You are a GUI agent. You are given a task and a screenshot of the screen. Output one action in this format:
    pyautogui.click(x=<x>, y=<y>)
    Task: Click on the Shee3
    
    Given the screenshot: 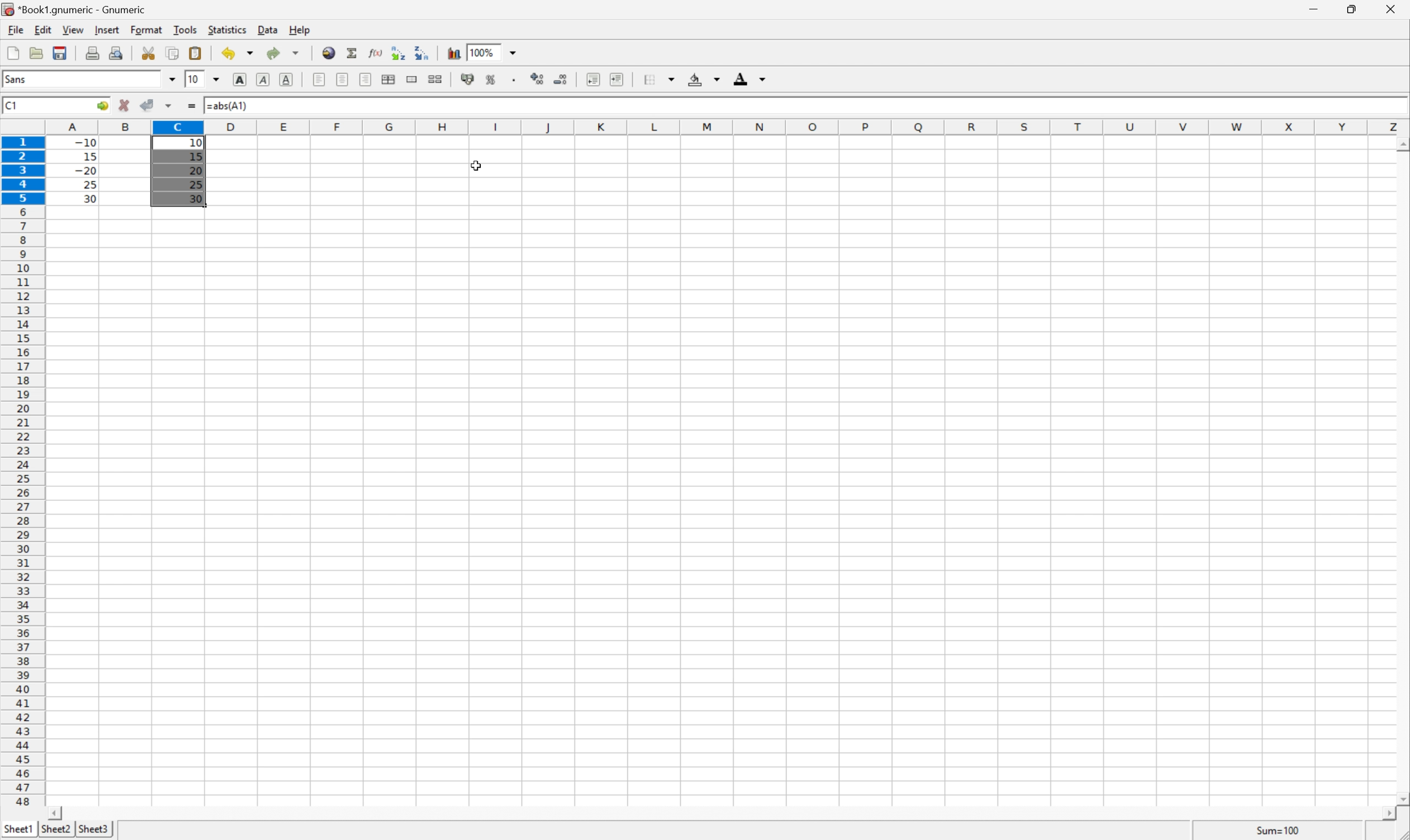 What is the action you would take?
    pyautogui.click(x=93, y=829)
    